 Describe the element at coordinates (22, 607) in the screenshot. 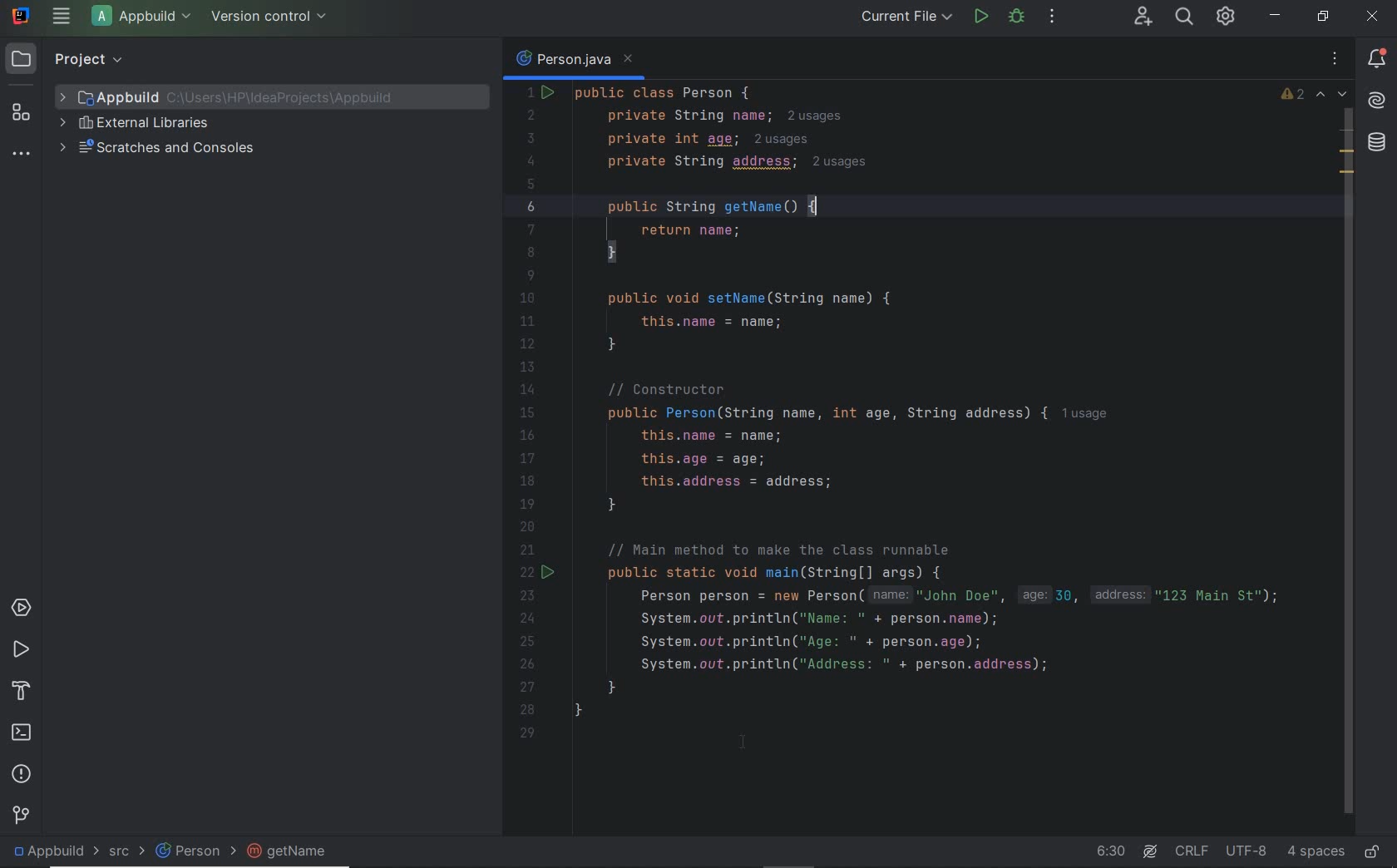

I see `services` at that location.